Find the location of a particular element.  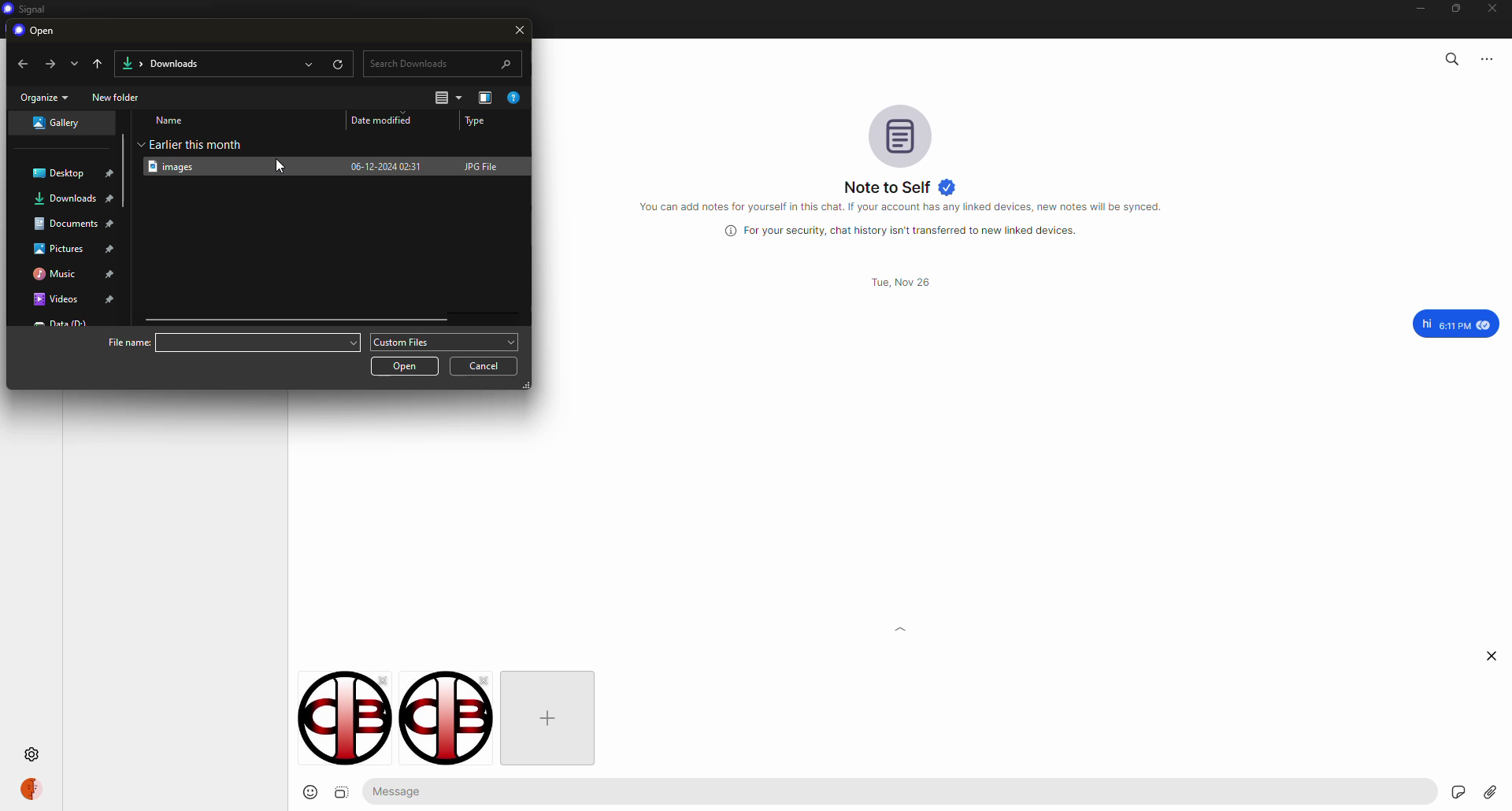

pin is located at coordinates (112, 174).